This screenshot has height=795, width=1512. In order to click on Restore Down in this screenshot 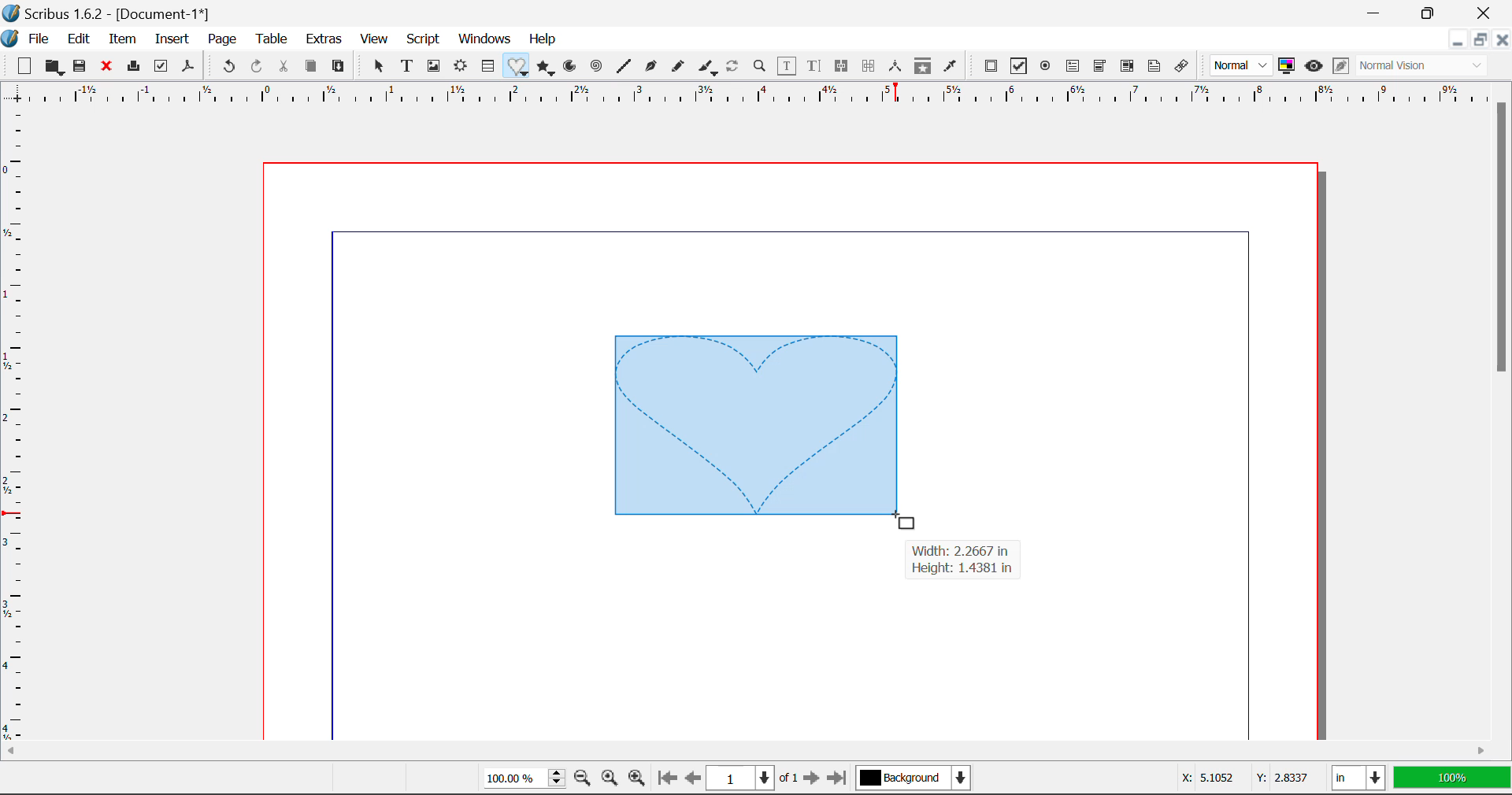, I will do `click(1378, 12)`.